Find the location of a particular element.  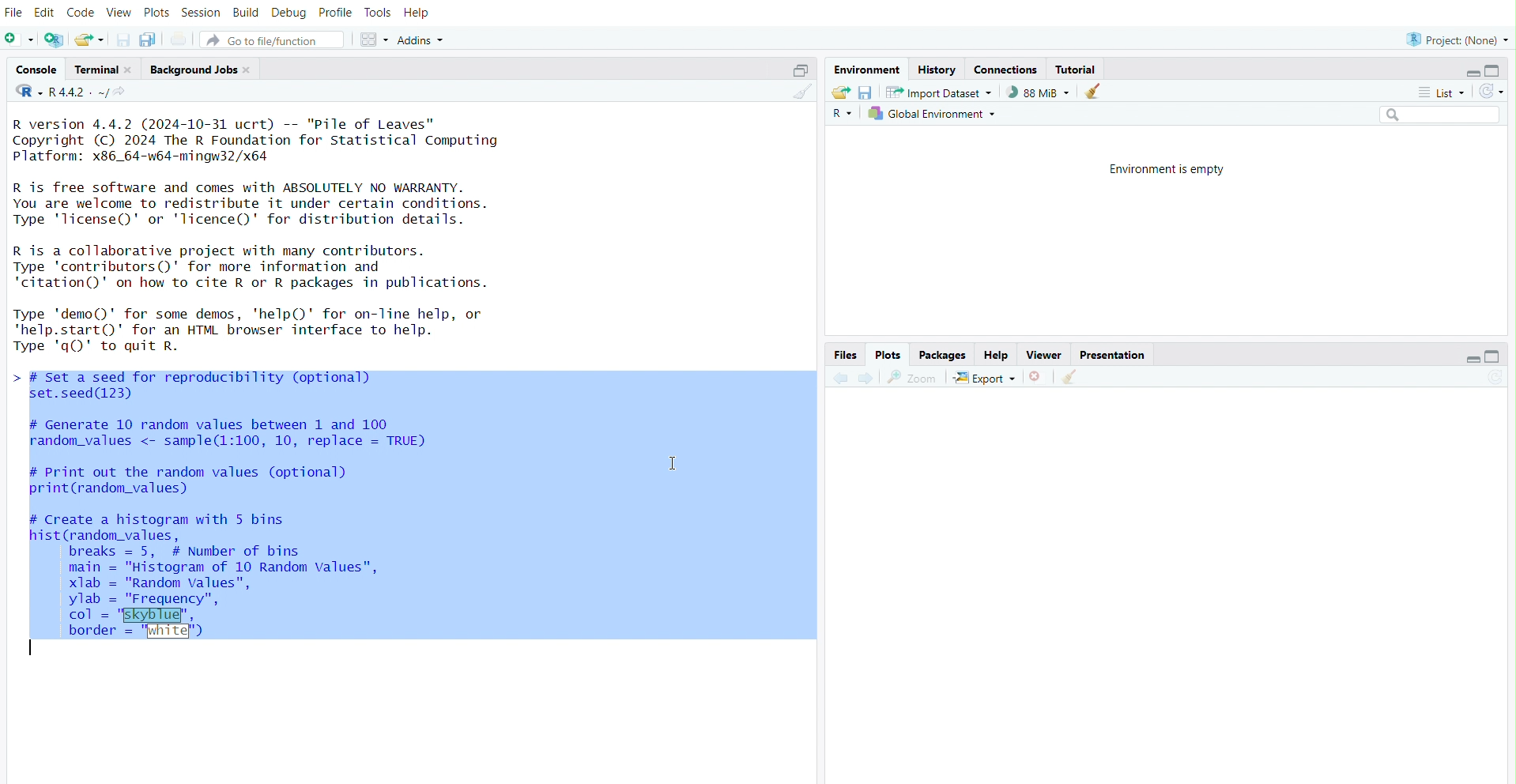

help is located at coordinates (419, 10).